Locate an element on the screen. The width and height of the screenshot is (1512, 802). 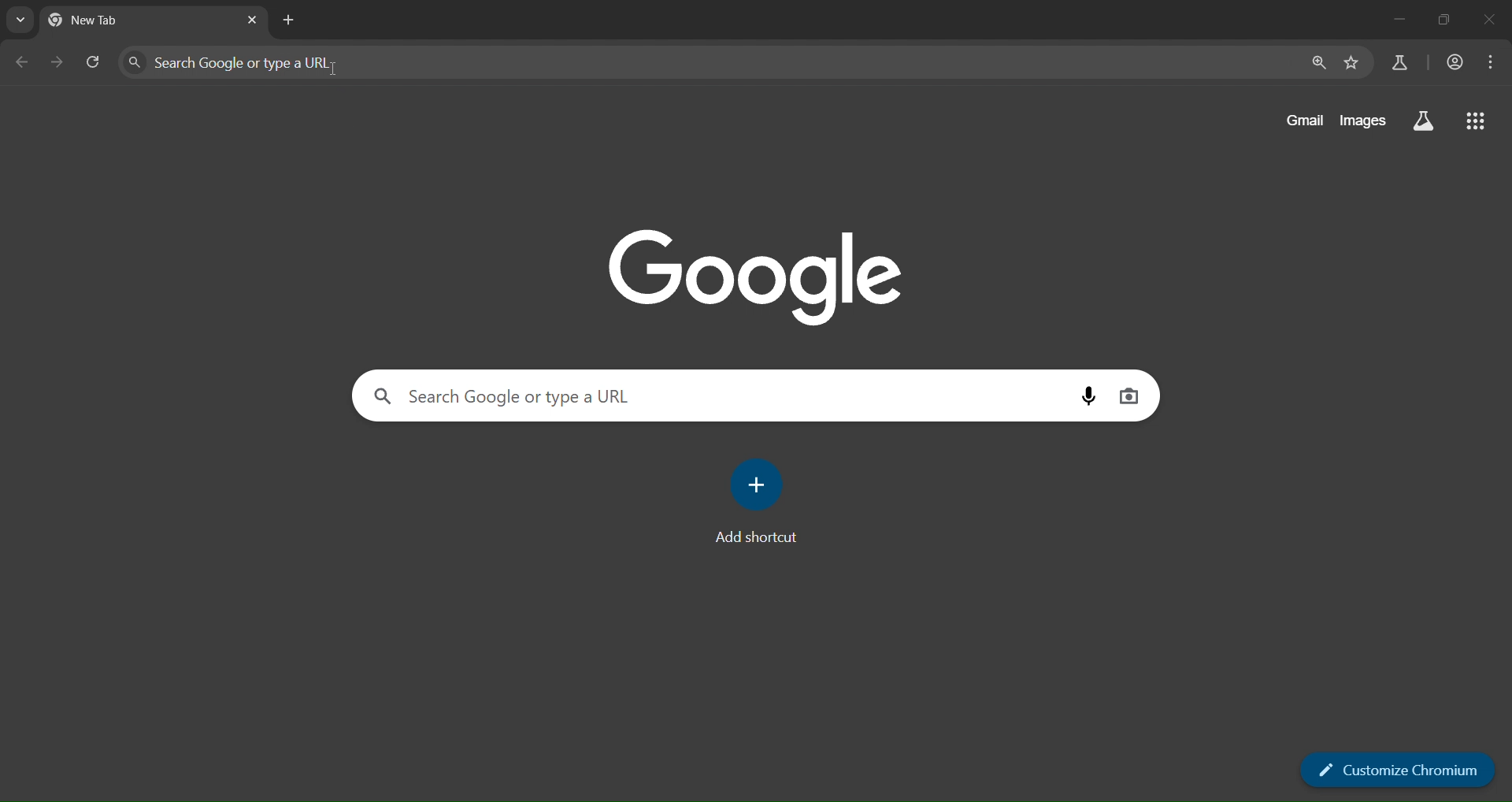
customize chromium is located at coordinates (1395, 770).